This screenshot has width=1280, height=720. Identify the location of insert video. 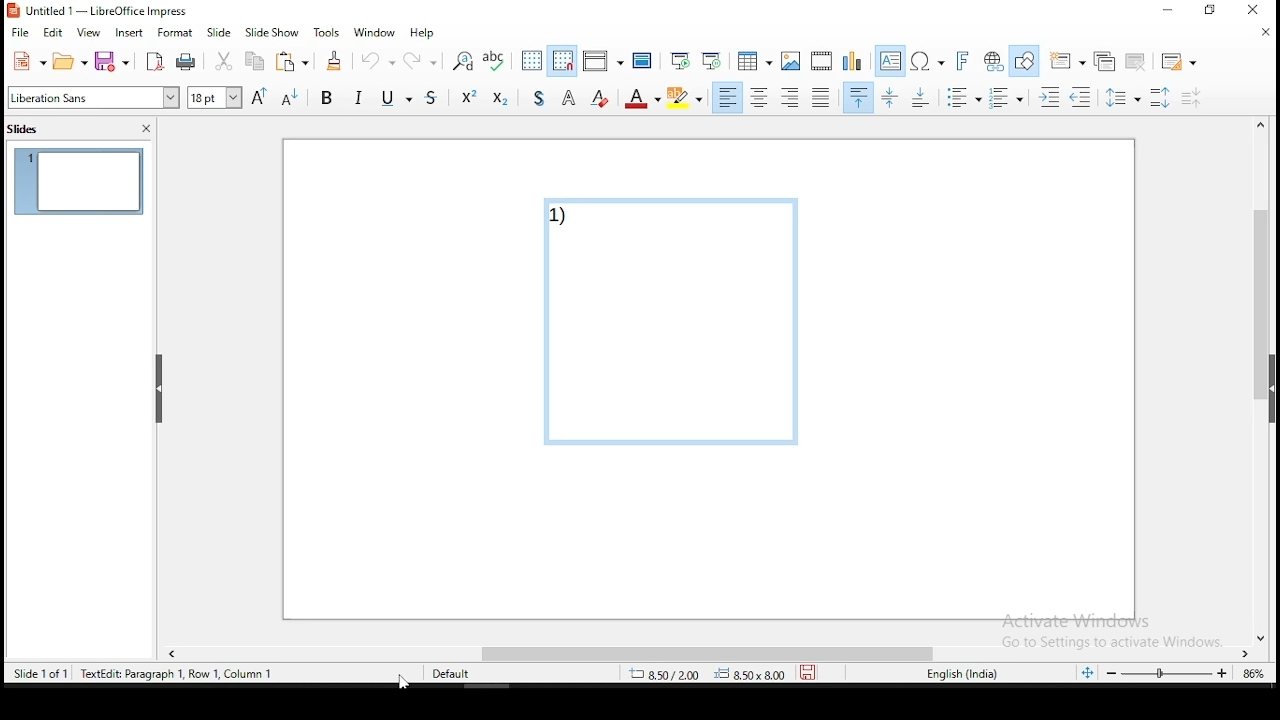
(820, 62).